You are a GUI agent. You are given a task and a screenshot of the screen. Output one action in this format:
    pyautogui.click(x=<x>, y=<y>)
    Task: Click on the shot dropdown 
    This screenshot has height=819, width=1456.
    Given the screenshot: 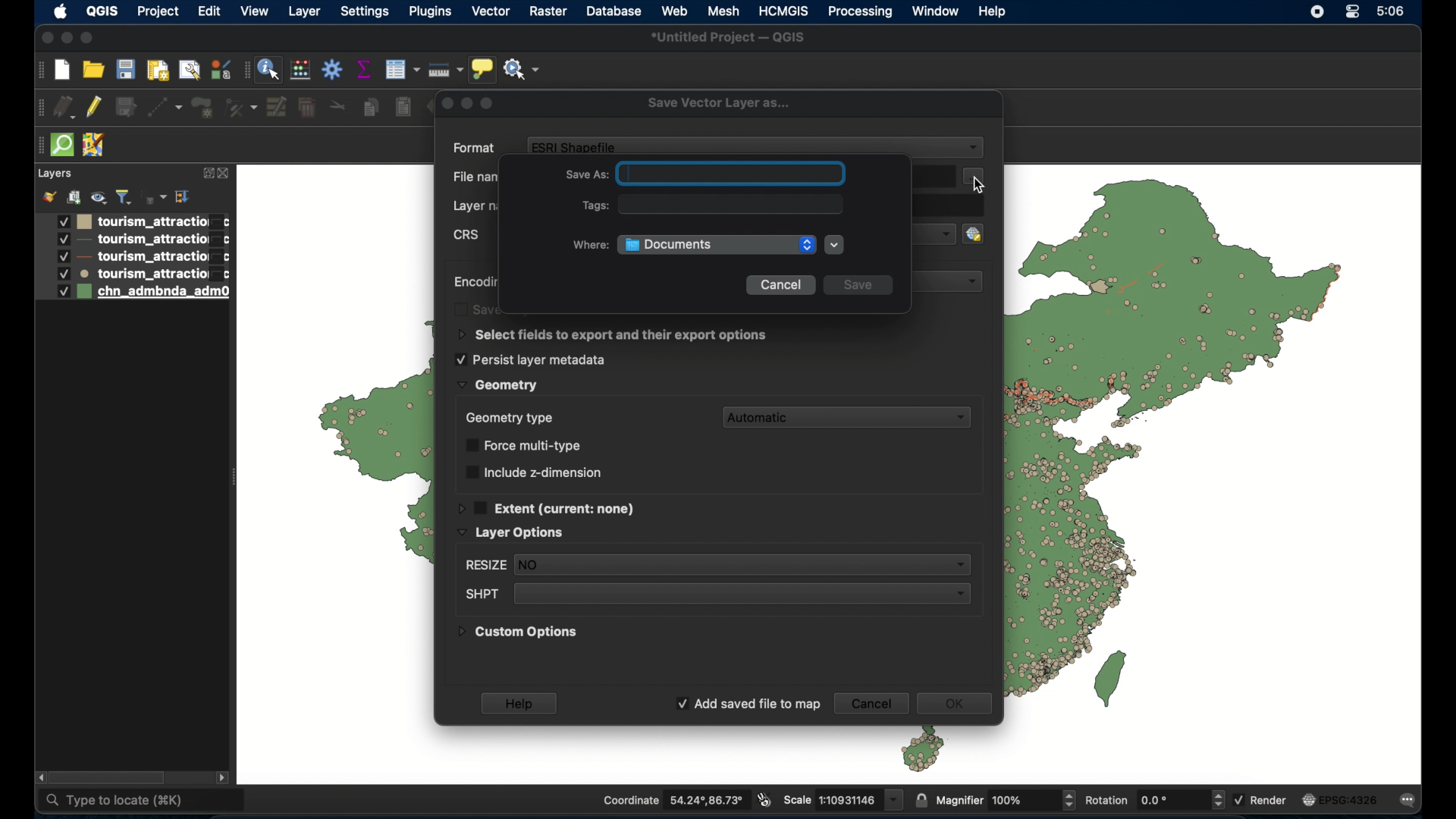 What is the action you would take?
    pyautogui.click(x=715, y=595)
    